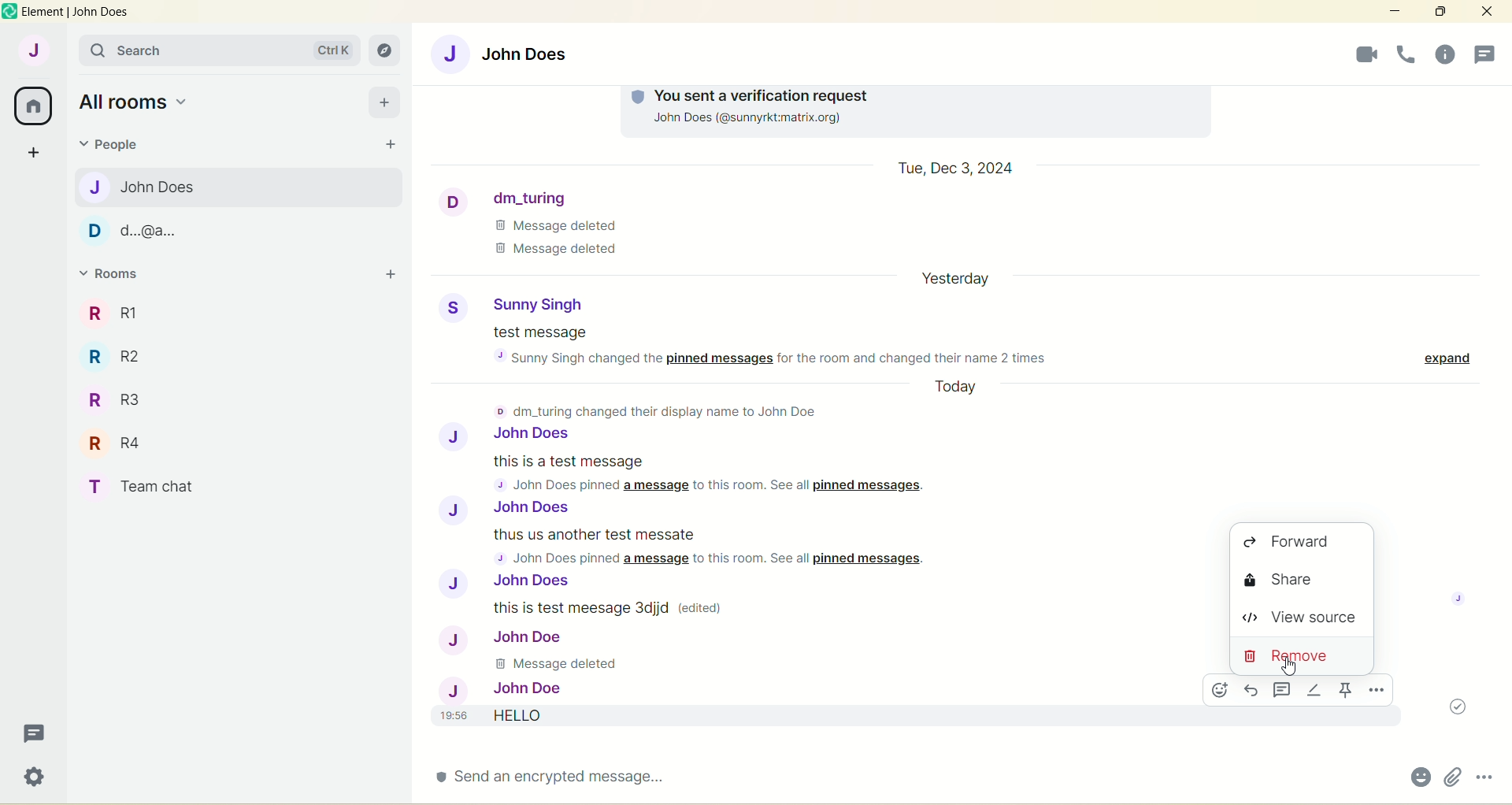  What do you see at coordinates (785, 357) in the screenshot?
I see `sunny Singh changed the pinned messages for the room and changed their name 2 times` at bounding box center [785, 357].